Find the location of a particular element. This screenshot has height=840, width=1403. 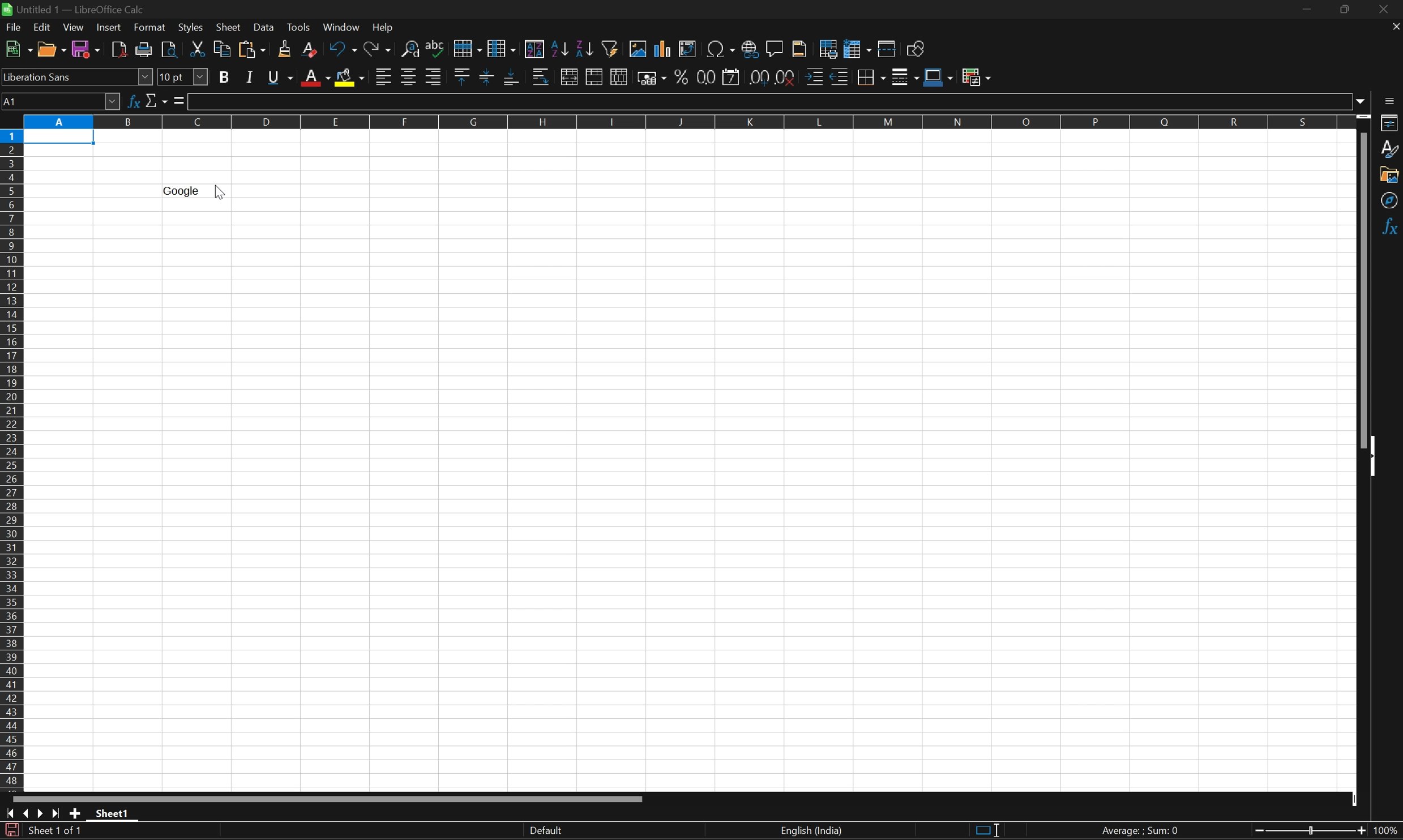

Format is located at coordinates (151, 27).